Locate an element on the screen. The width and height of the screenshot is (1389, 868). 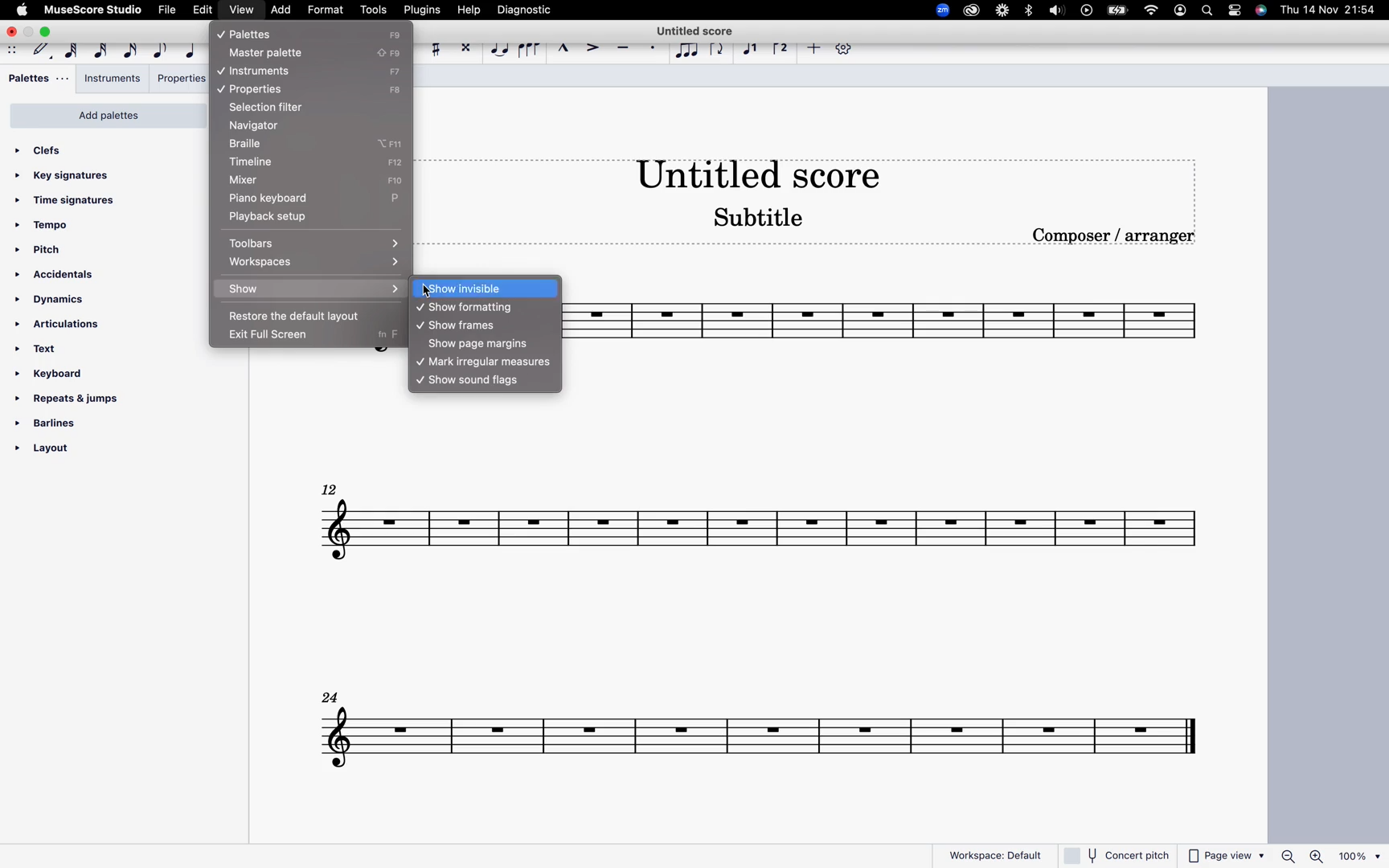
zoom is located at coordinates (939, 13).